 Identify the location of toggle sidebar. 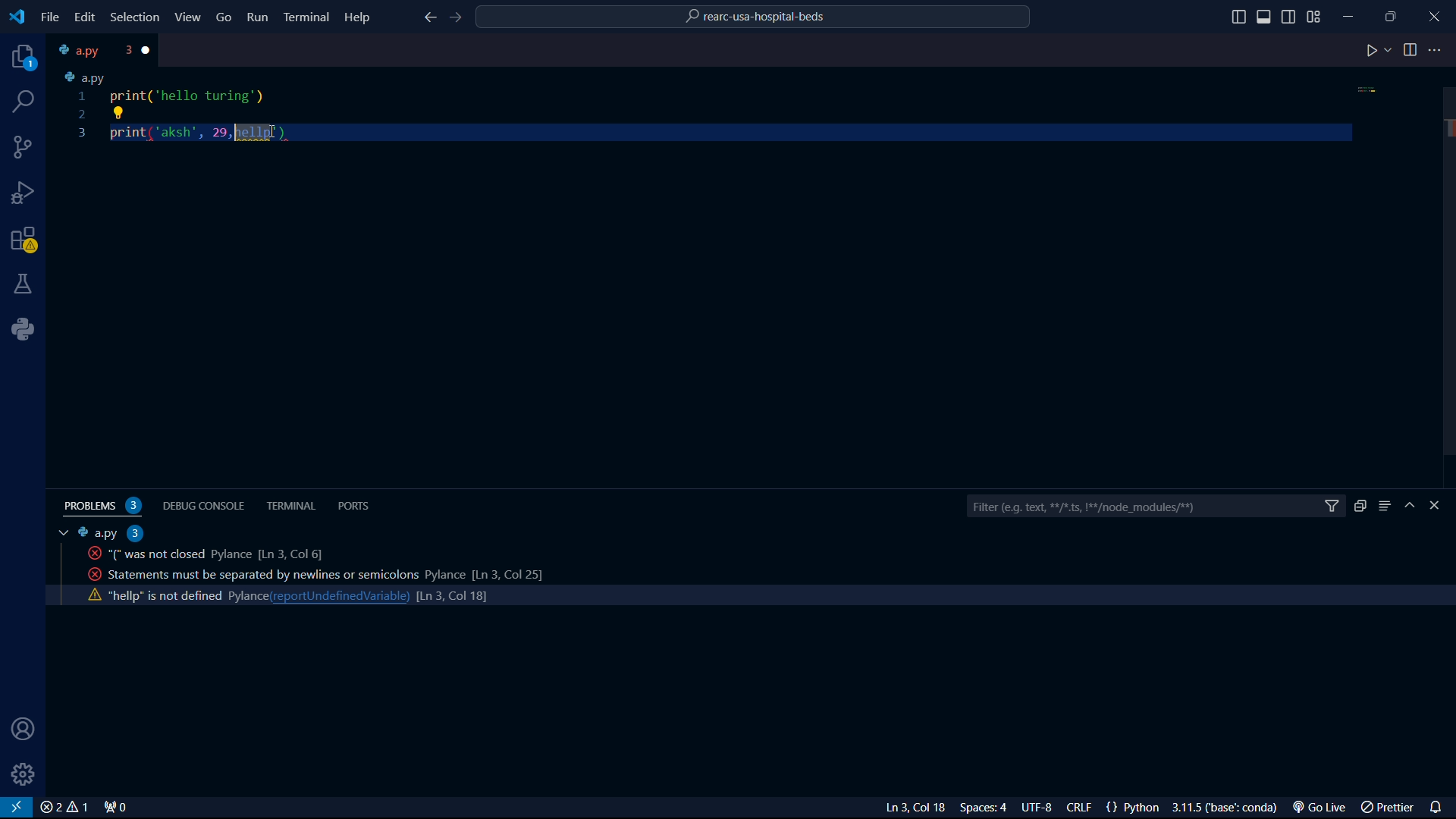
(1290, 15).